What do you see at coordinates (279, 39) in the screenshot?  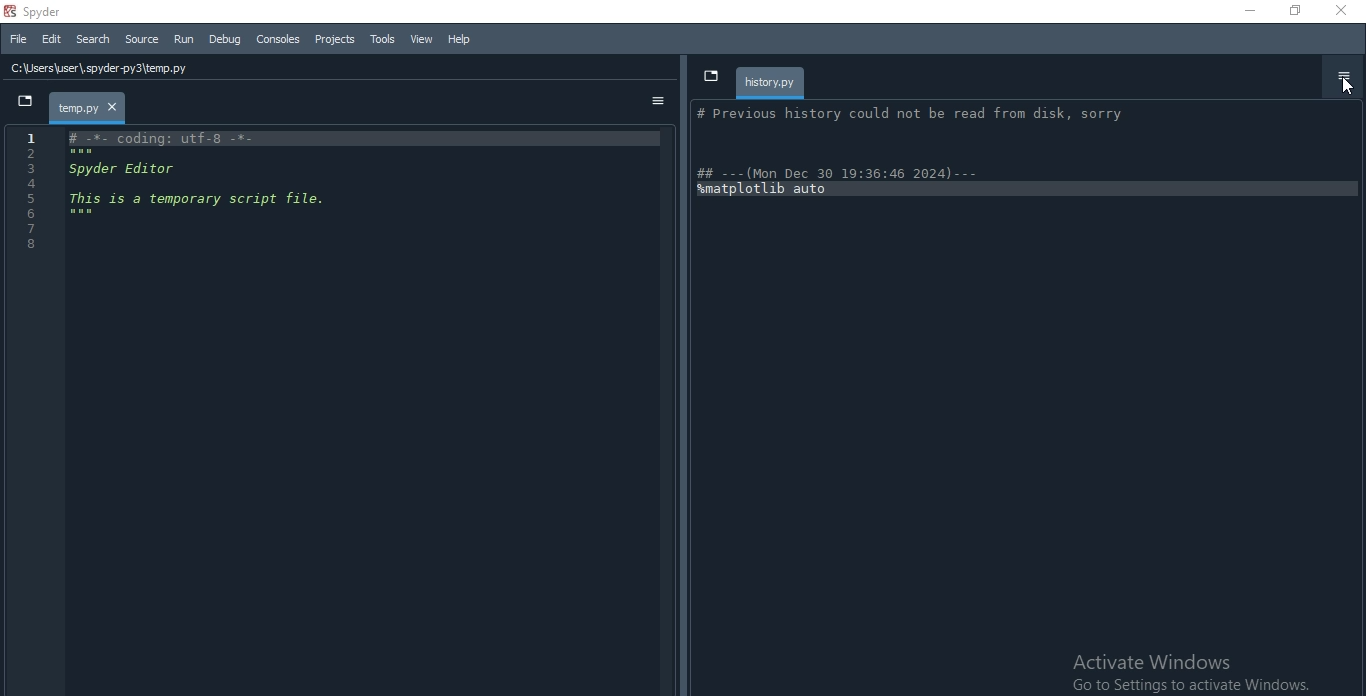 I see `Consoles` at bounding box center [279, 39].